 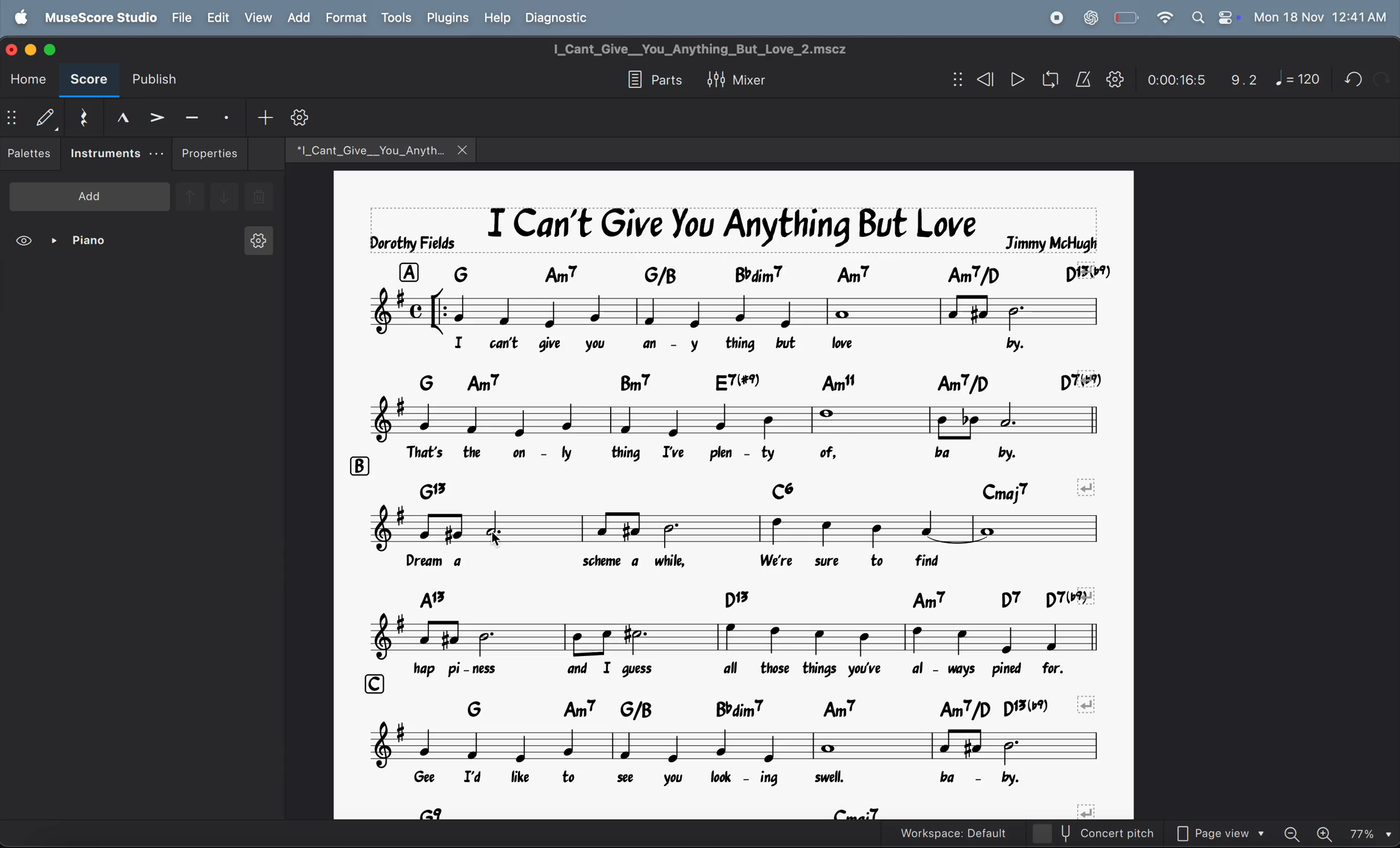 I want to click on control center, so click(x=1228, y=18).